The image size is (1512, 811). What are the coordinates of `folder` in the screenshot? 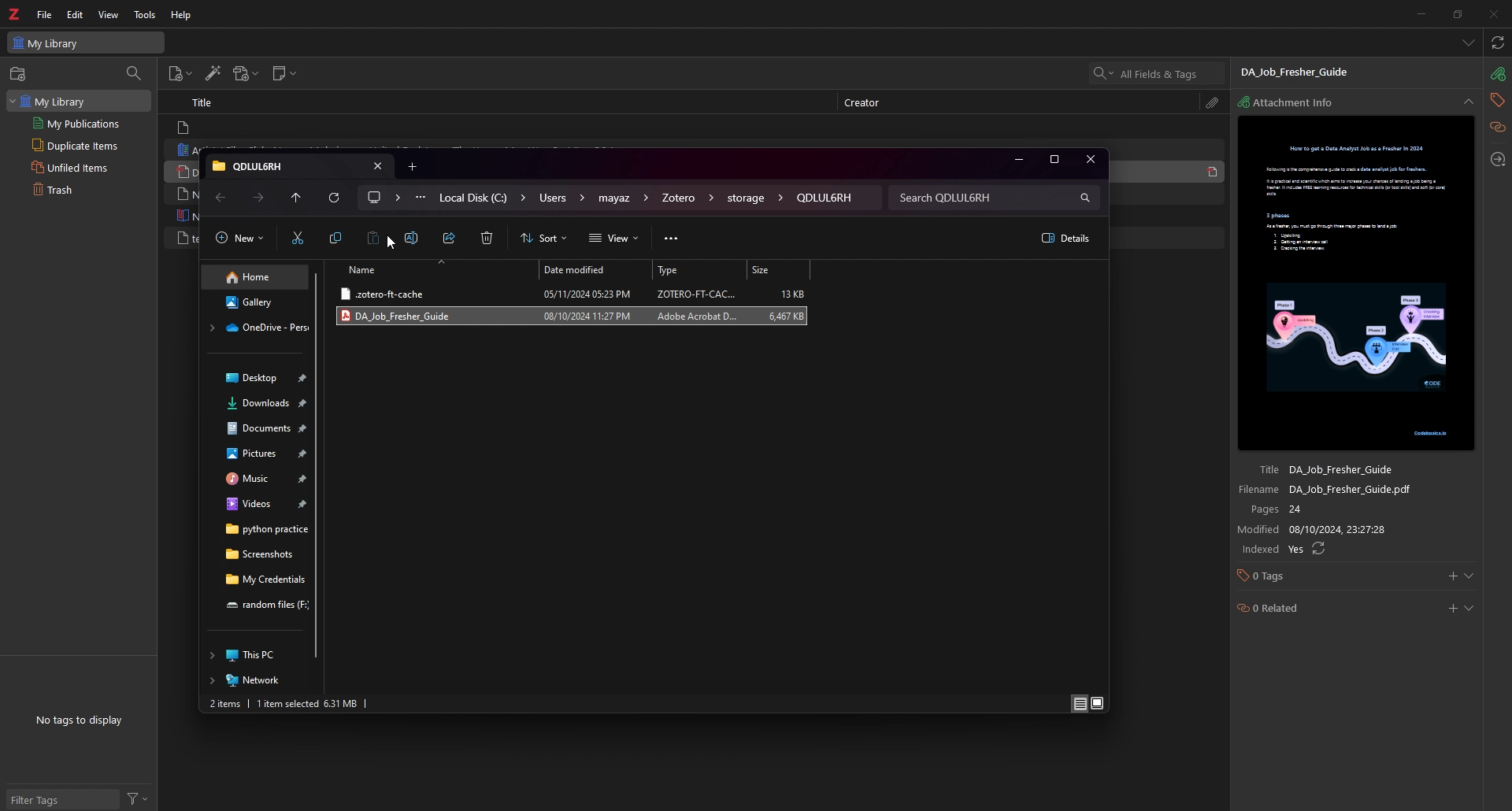 It's located at (272, 165).